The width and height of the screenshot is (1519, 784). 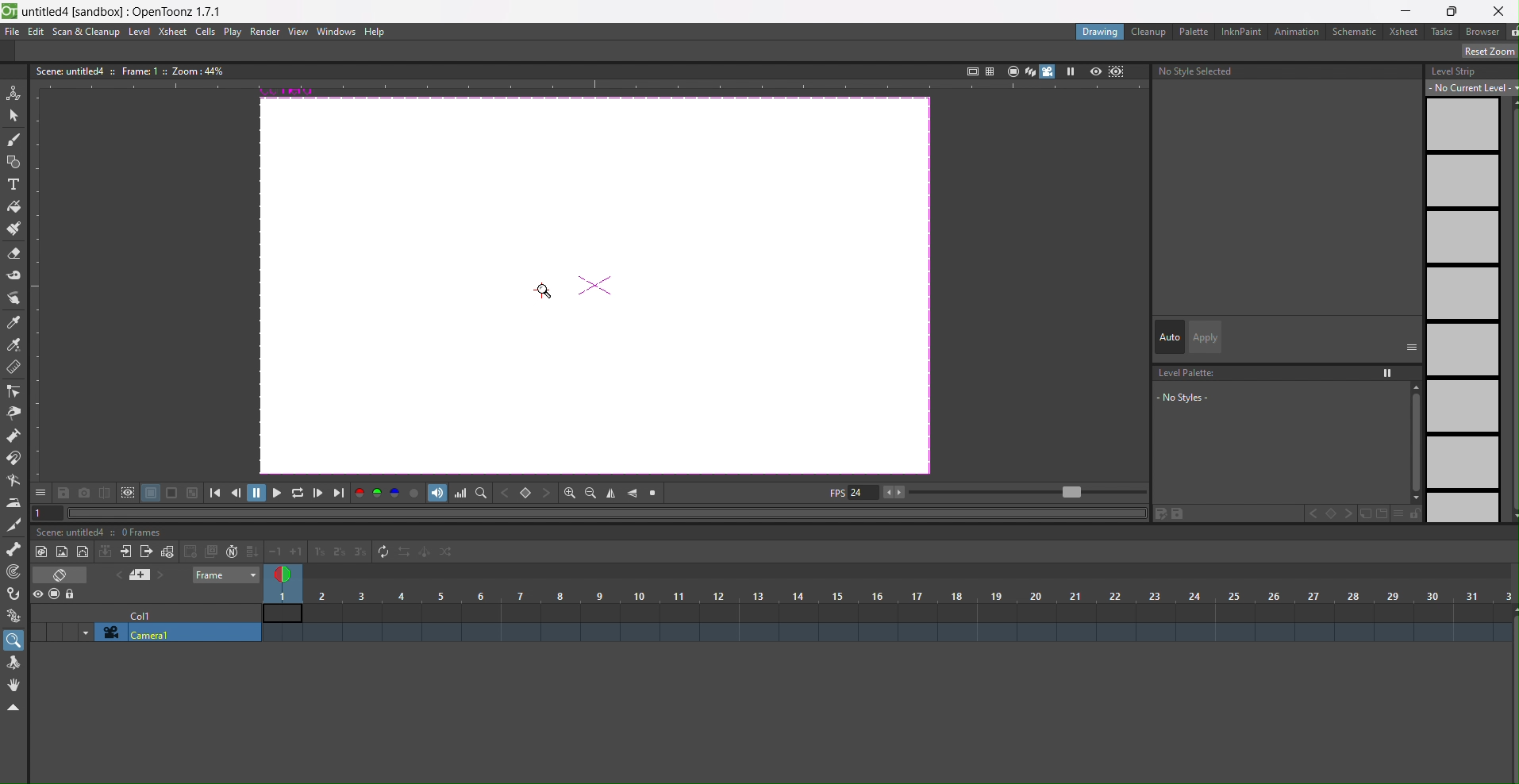 I want to click on flip horizontal, so click(x=633, y=494).